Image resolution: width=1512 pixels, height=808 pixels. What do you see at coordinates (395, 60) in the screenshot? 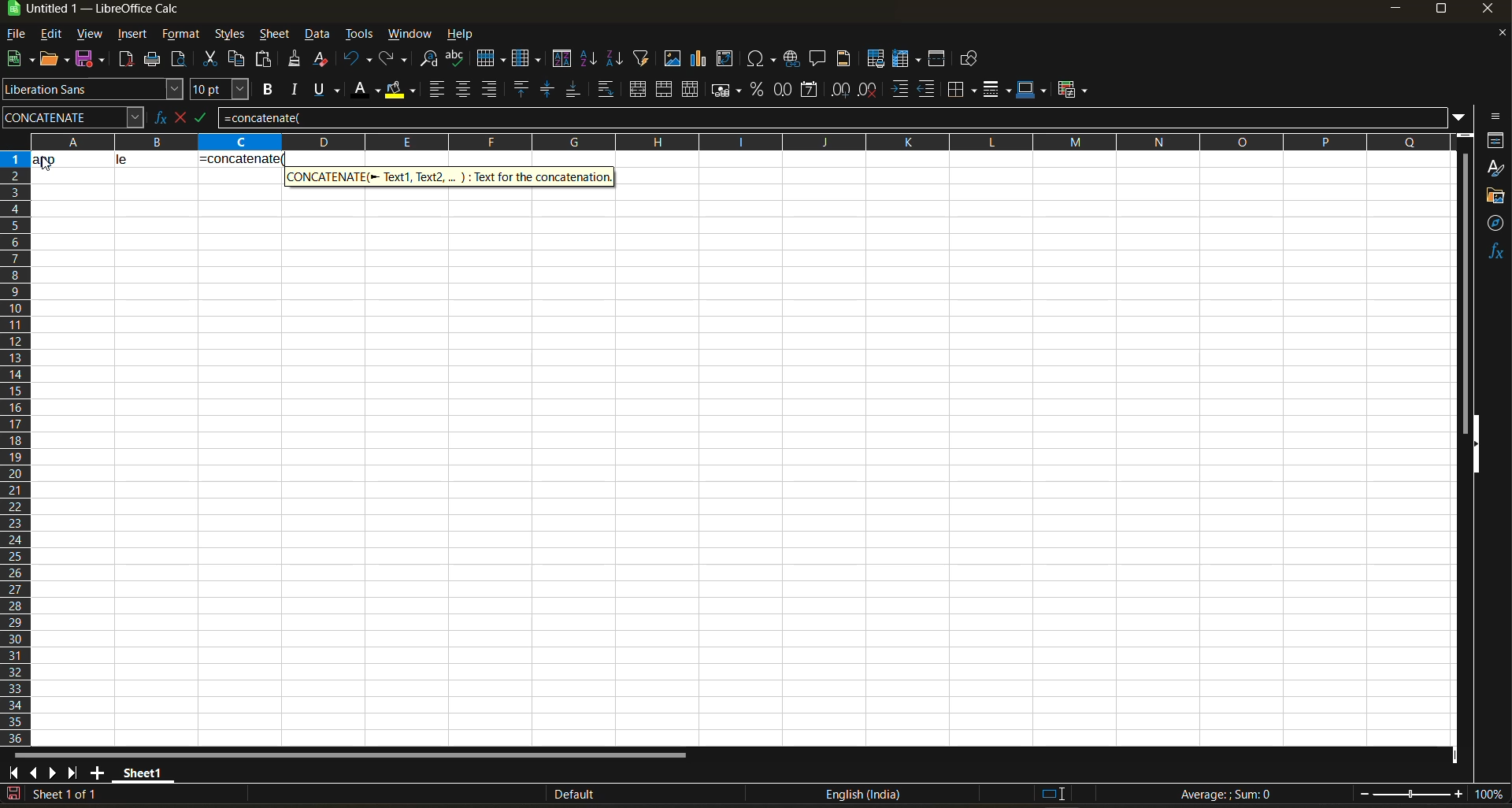
I see `redo ` at bounding box center [395, 60].